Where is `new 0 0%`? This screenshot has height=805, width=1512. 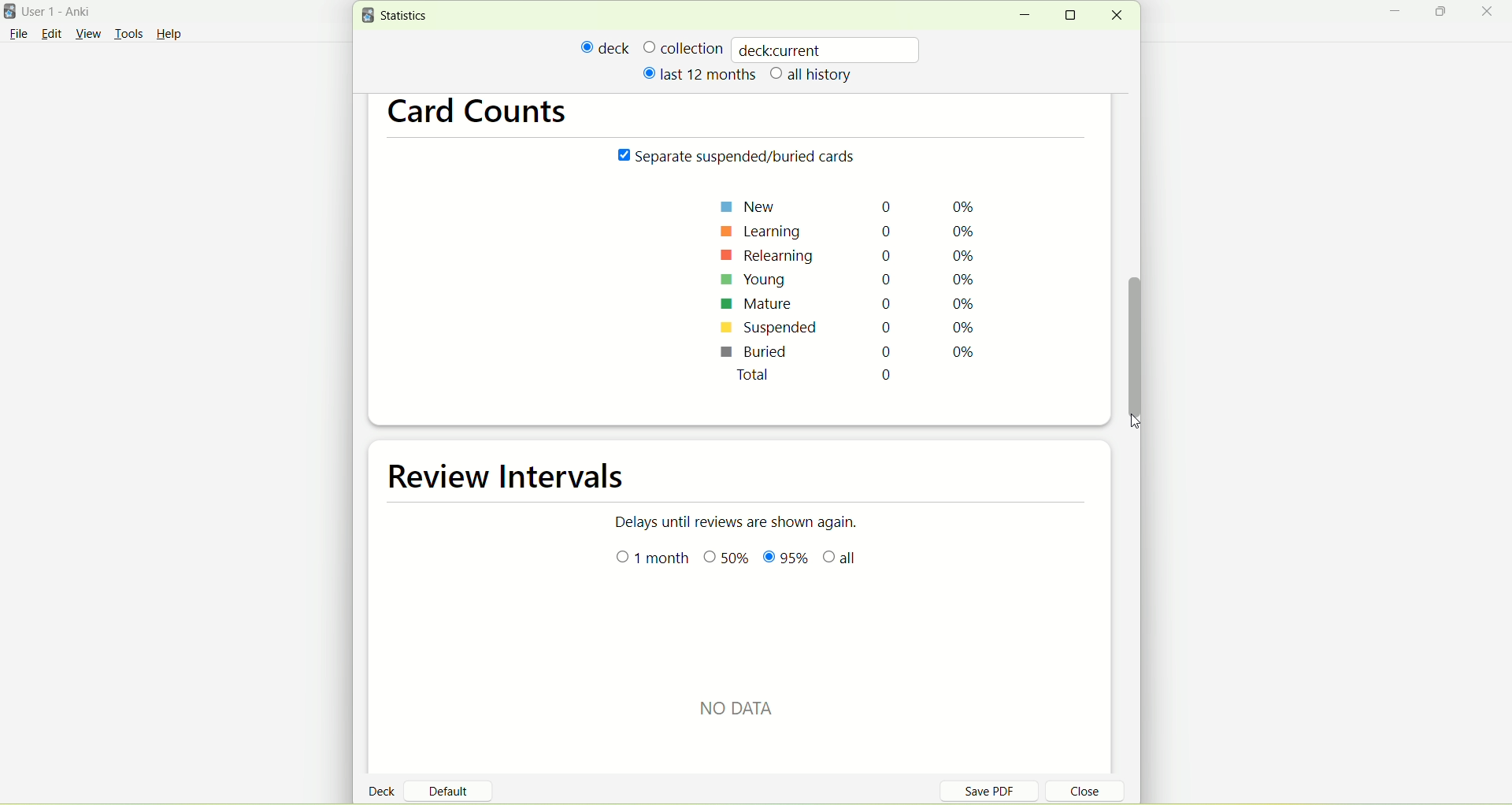
new 0 0% is located at coordinates (852, 206).